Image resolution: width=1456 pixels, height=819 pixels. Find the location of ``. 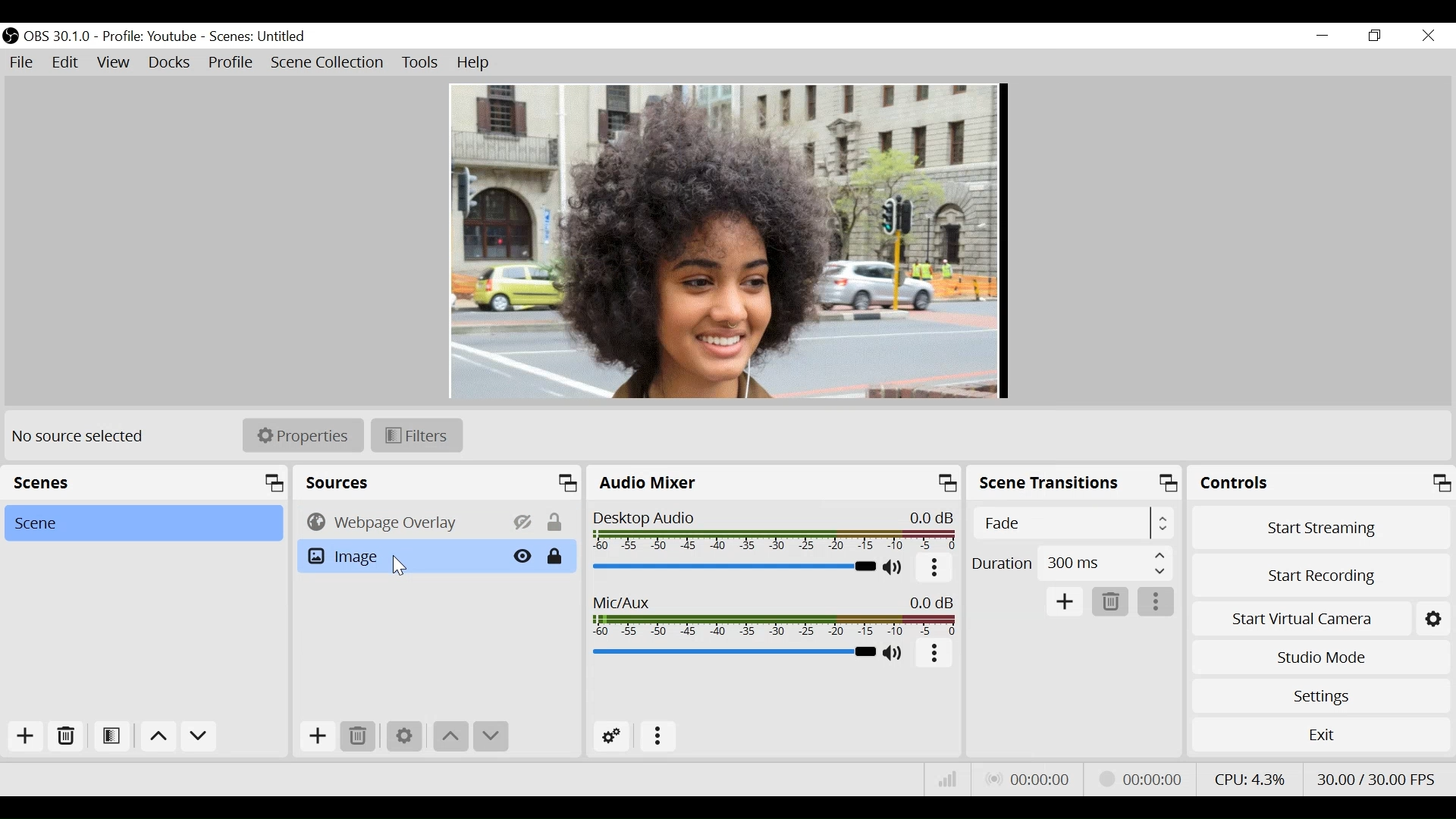

 is located at coordinates (935, 569).